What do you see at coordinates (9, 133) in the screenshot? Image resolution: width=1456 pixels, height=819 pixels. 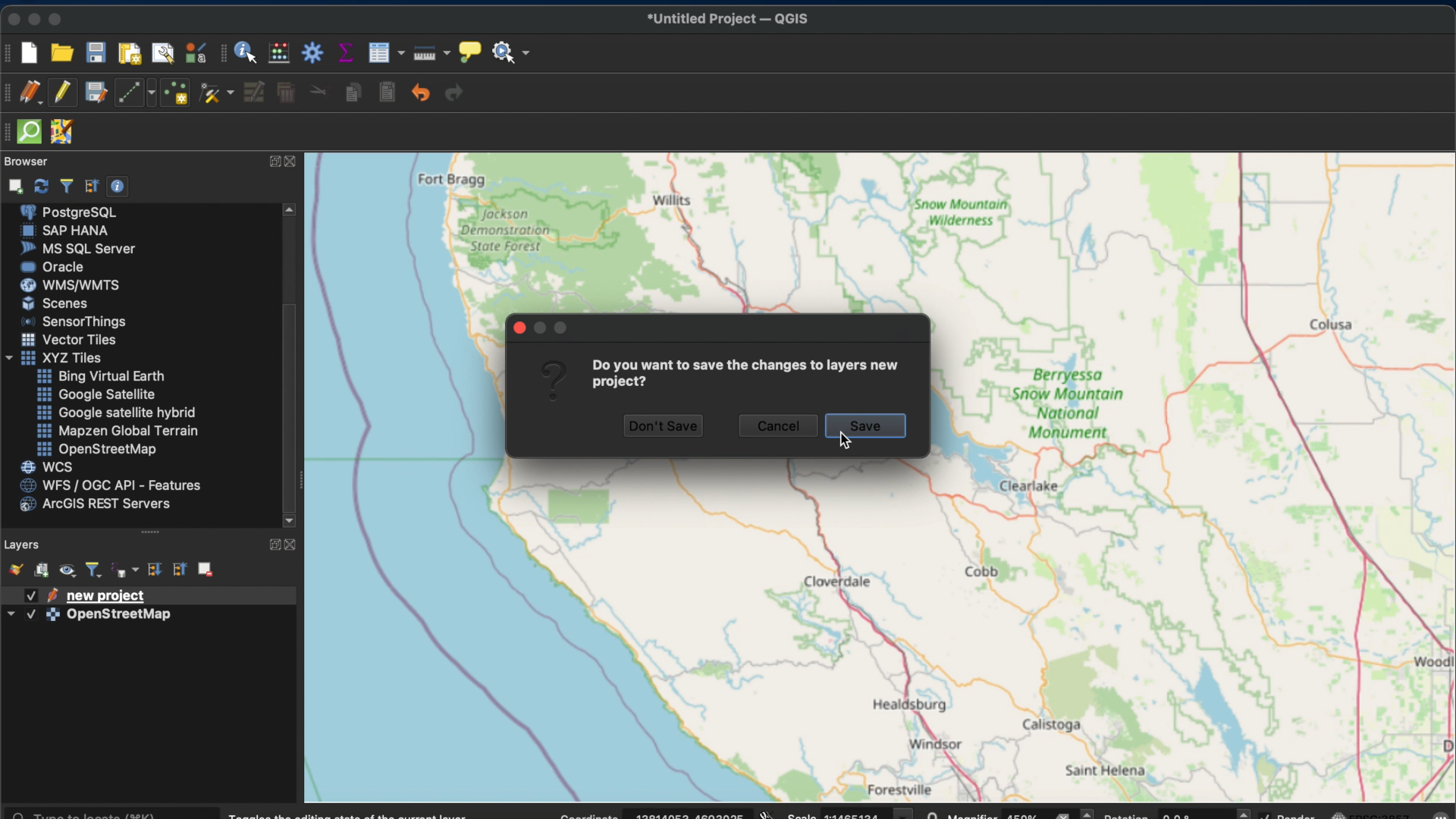 I see `drag handle` at bounding box center [9, 133].